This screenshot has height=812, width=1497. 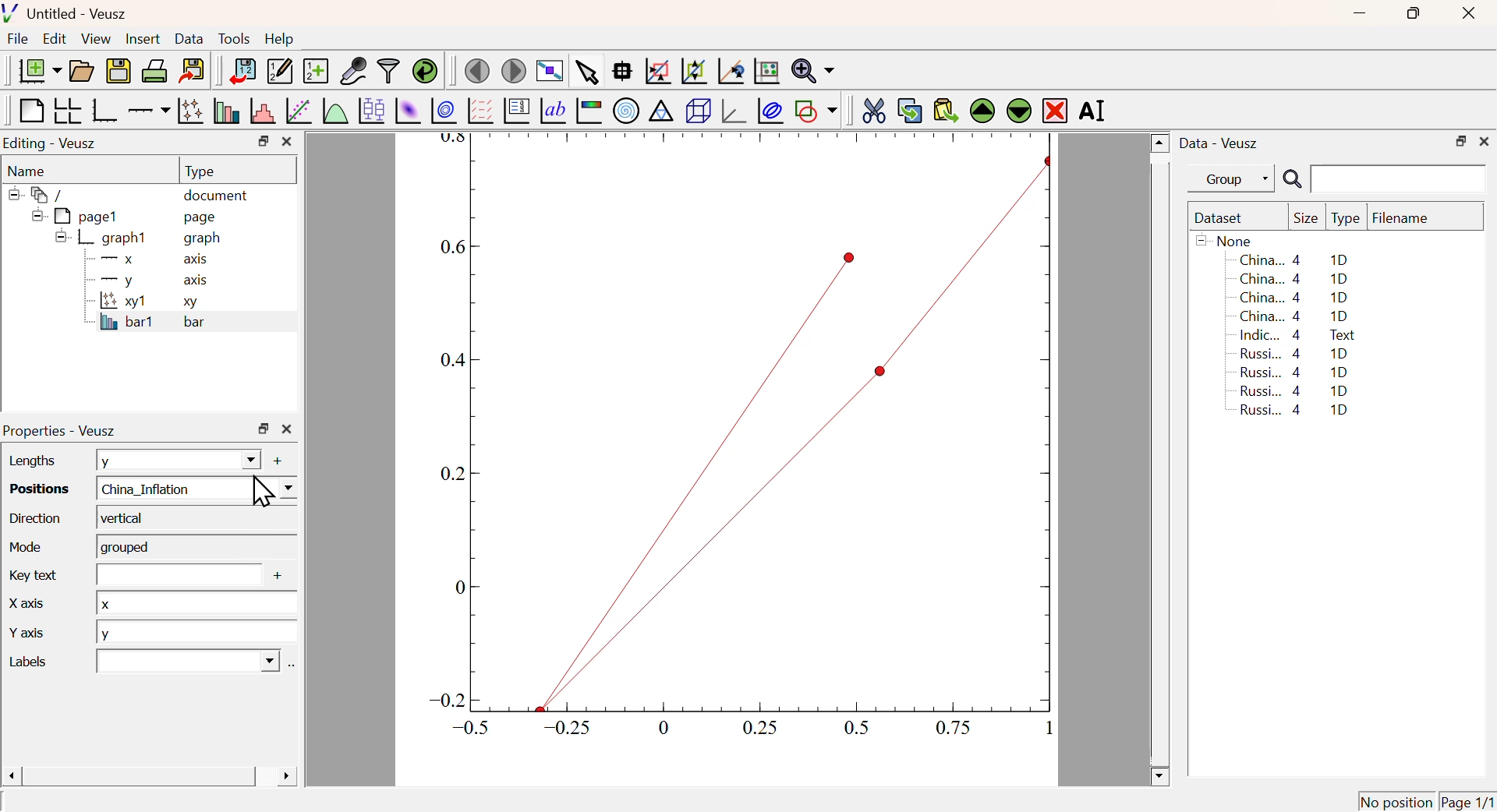 I want to click on y axis, so click(x=147, y=280).